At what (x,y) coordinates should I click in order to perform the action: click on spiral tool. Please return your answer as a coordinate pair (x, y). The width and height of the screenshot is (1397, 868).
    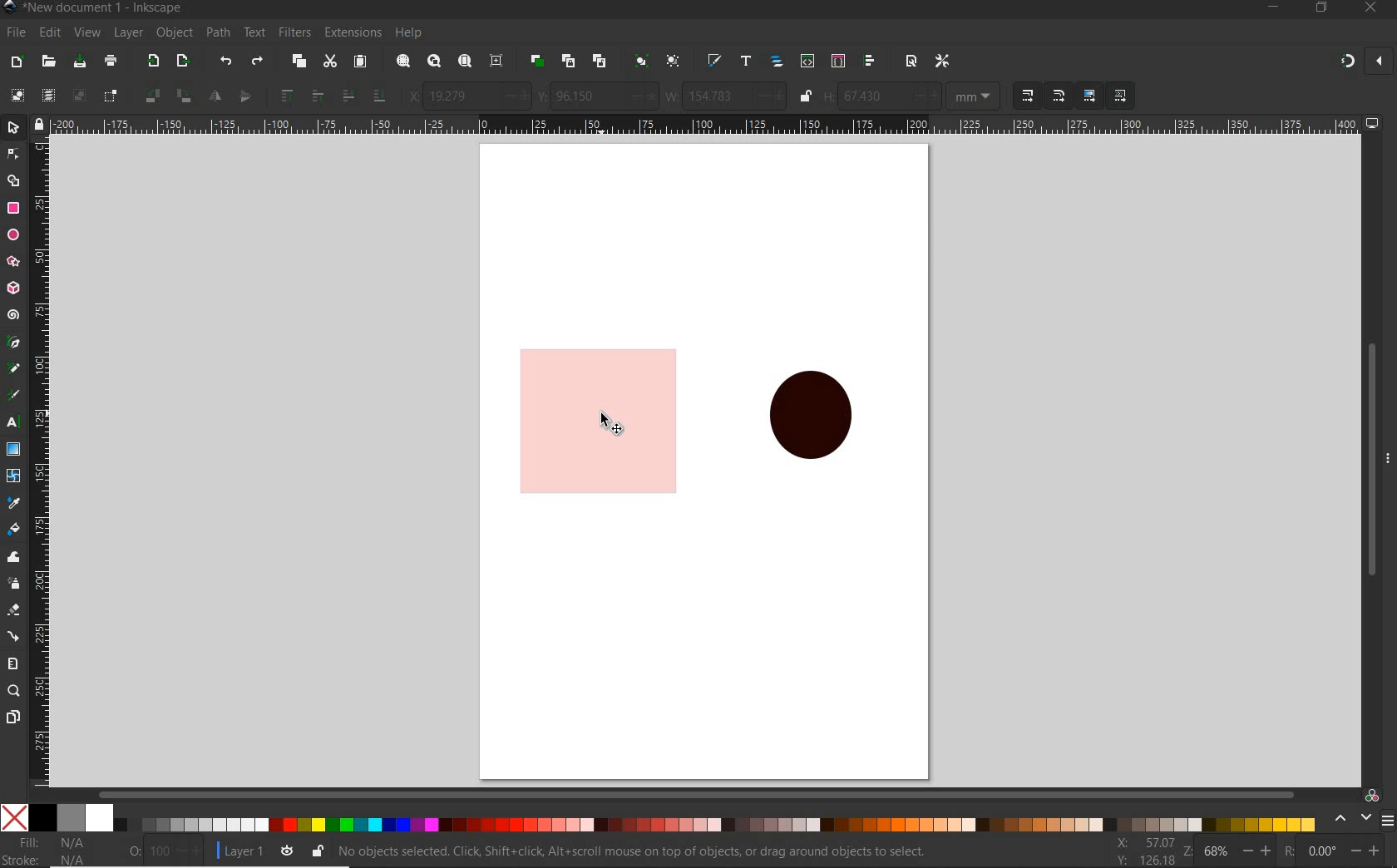
    Looking at the image, I should click on (13, 314).